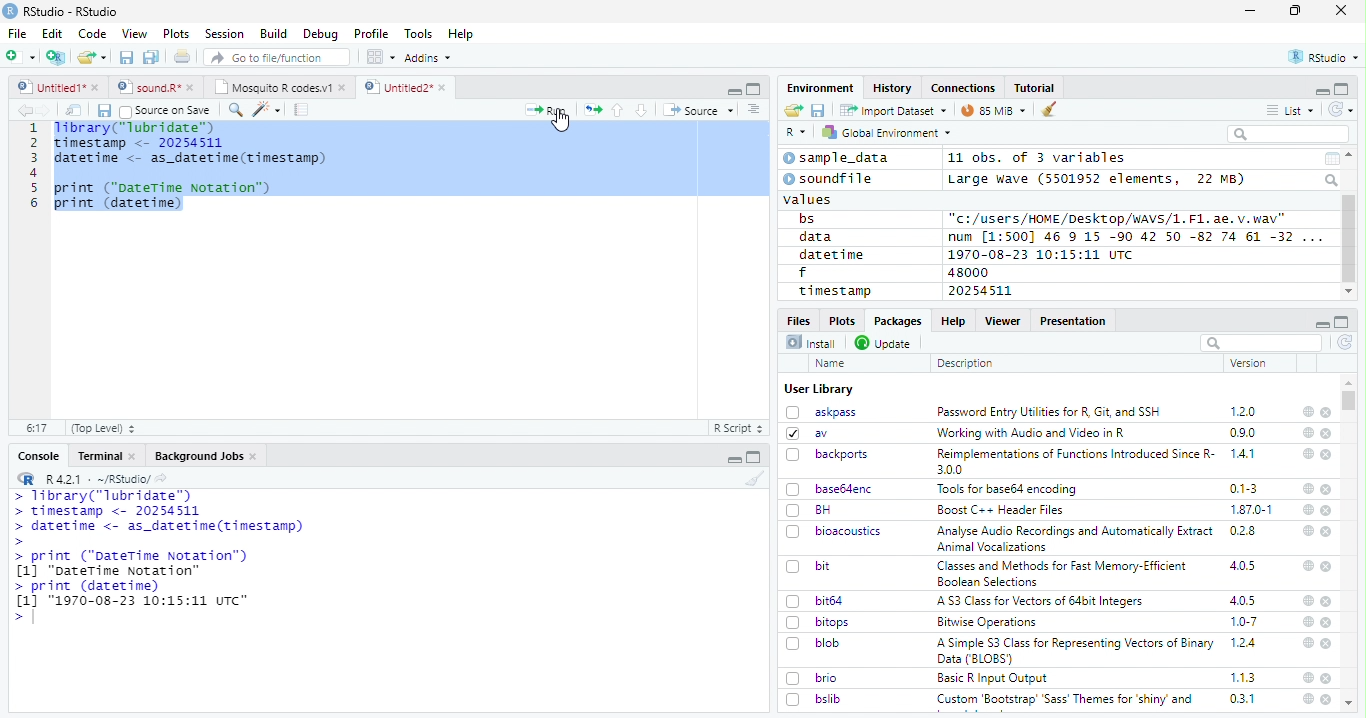  I want to click on help, so click(1307, 411).